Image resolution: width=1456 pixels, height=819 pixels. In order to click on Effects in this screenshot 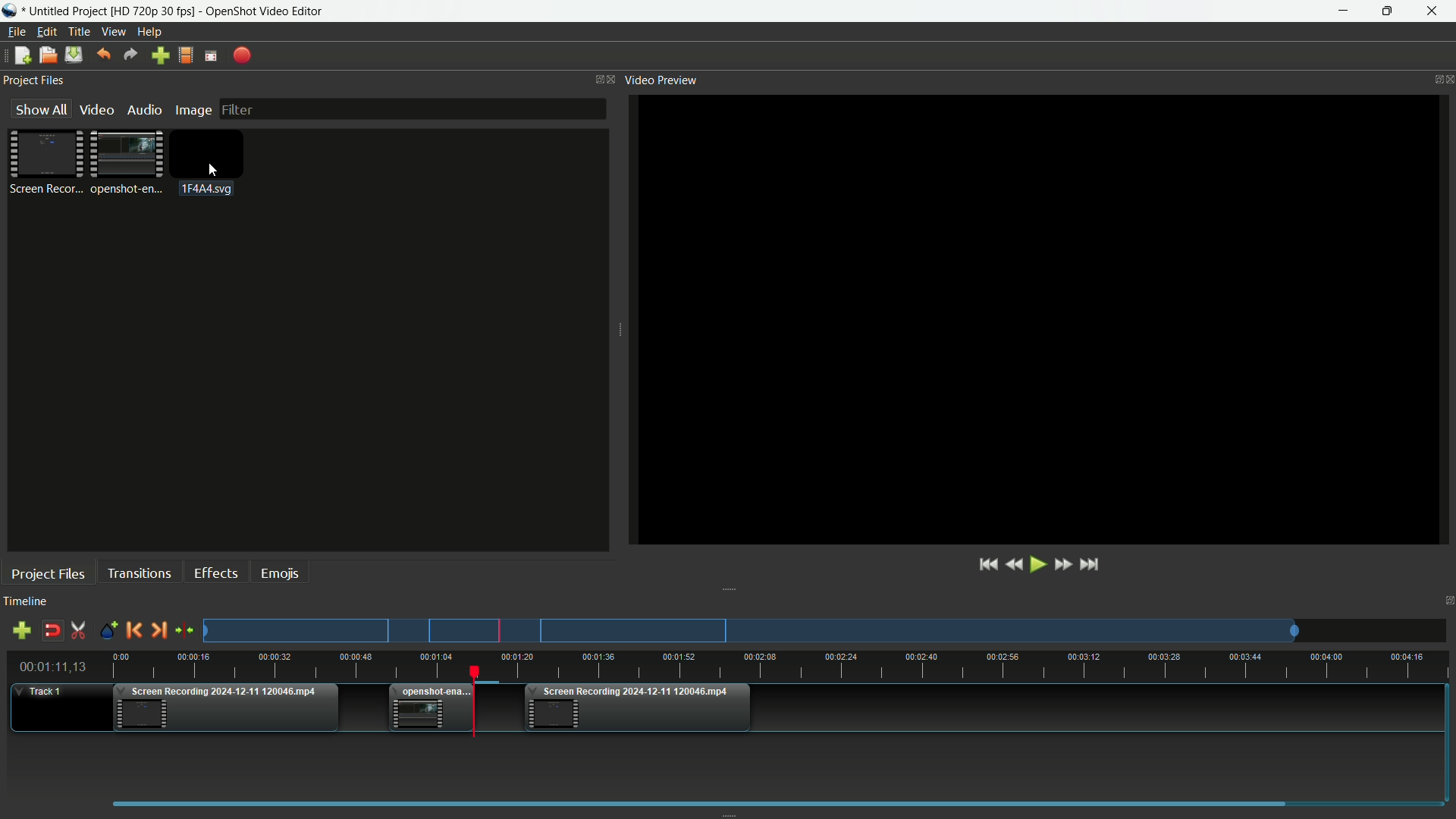, I will do `click(215, 573)`.